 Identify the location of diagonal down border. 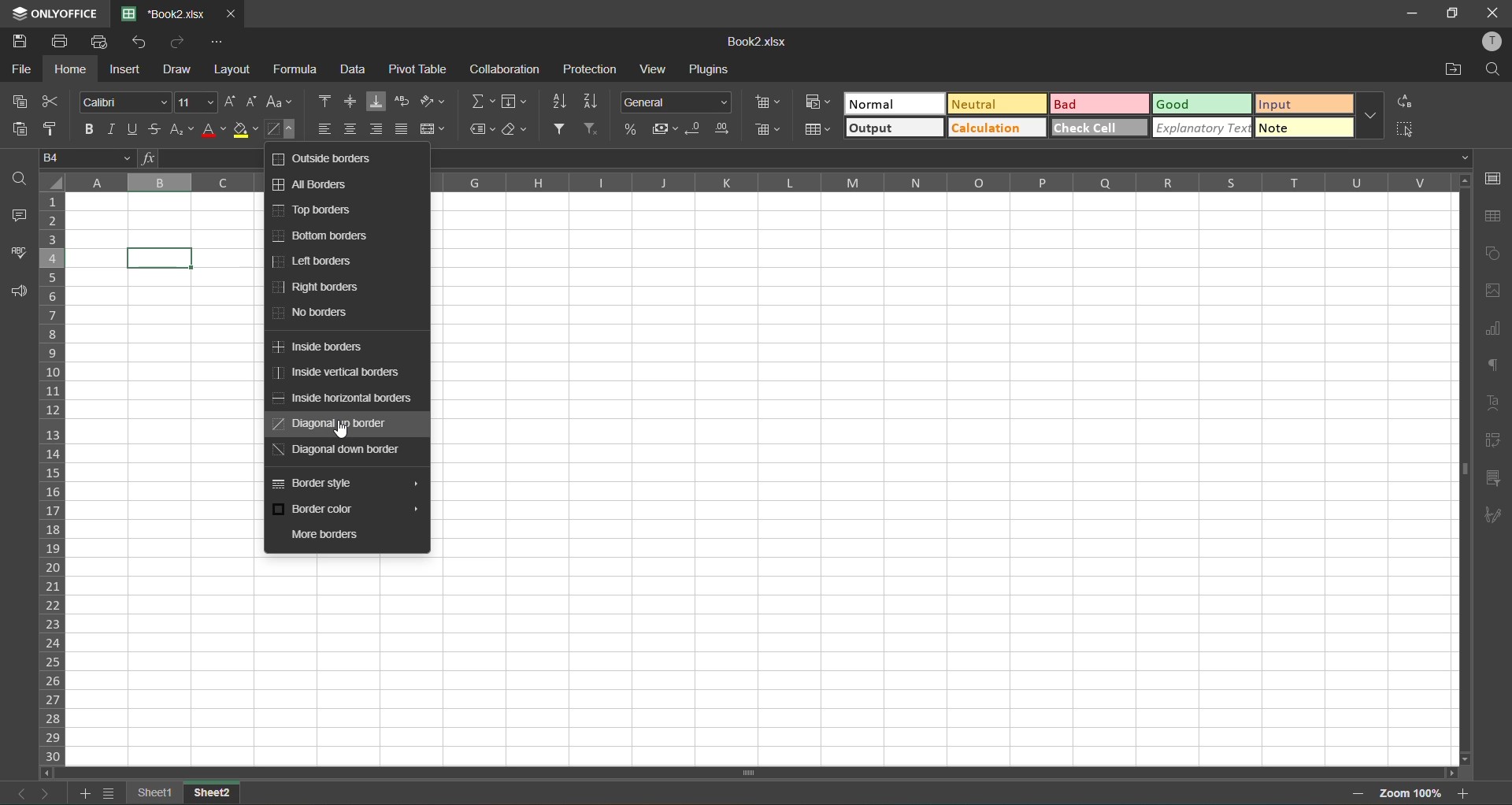
(335, 451).